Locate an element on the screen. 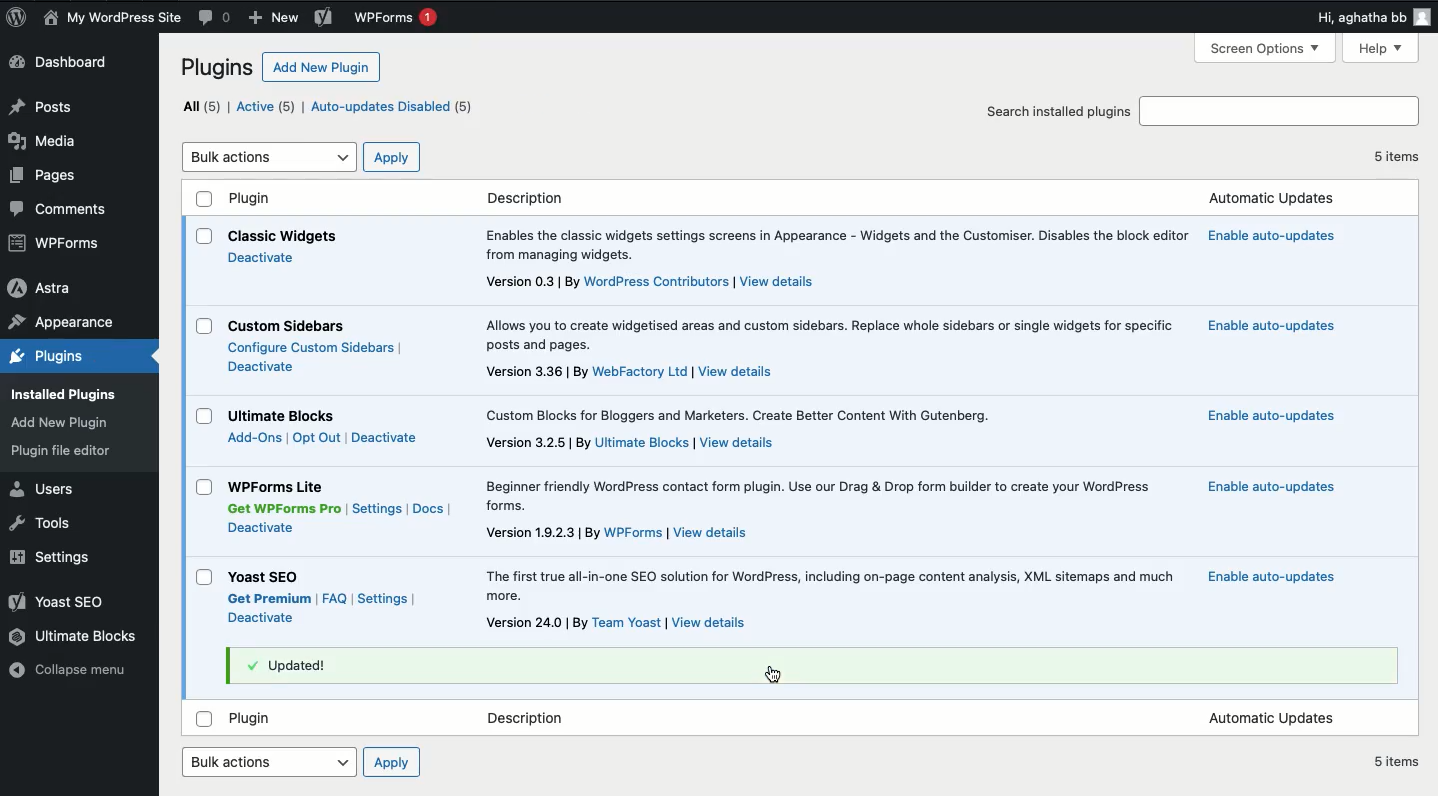 This screenshot has height=796, width=1438. Plugin is located at coordinates (270, 578).